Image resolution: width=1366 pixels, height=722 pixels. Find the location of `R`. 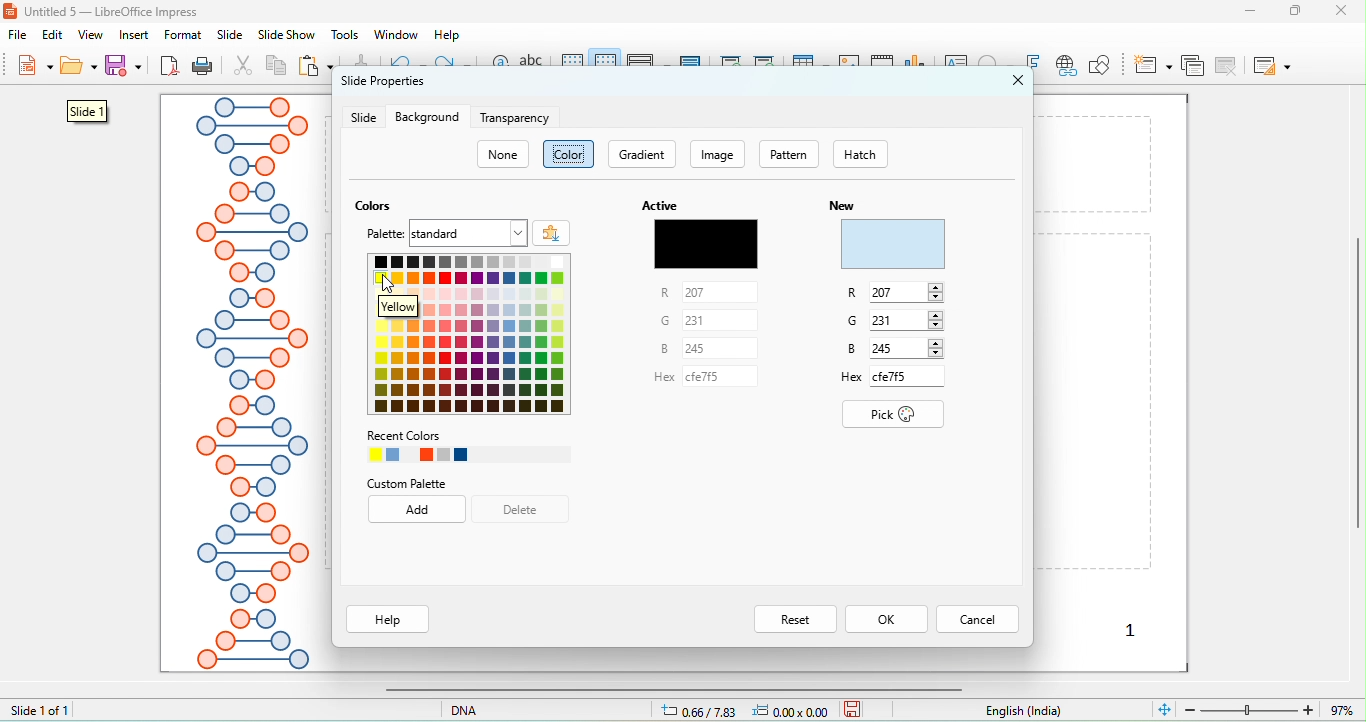

R is located at coordinates (699, 293).